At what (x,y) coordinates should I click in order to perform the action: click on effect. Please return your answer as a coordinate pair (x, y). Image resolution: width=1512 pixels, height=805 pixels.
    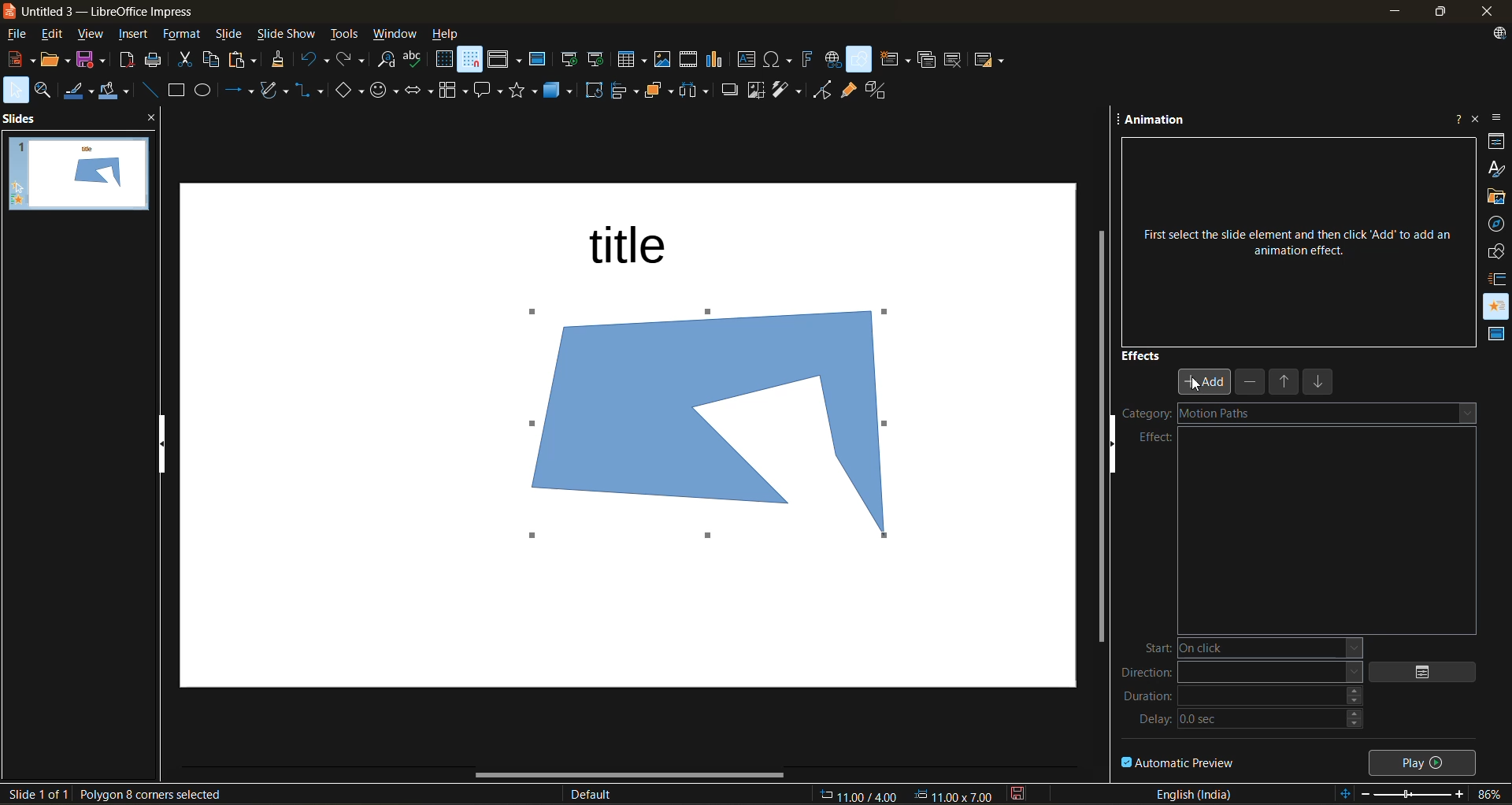
    Looking at the image, I should click on (1152, 439).